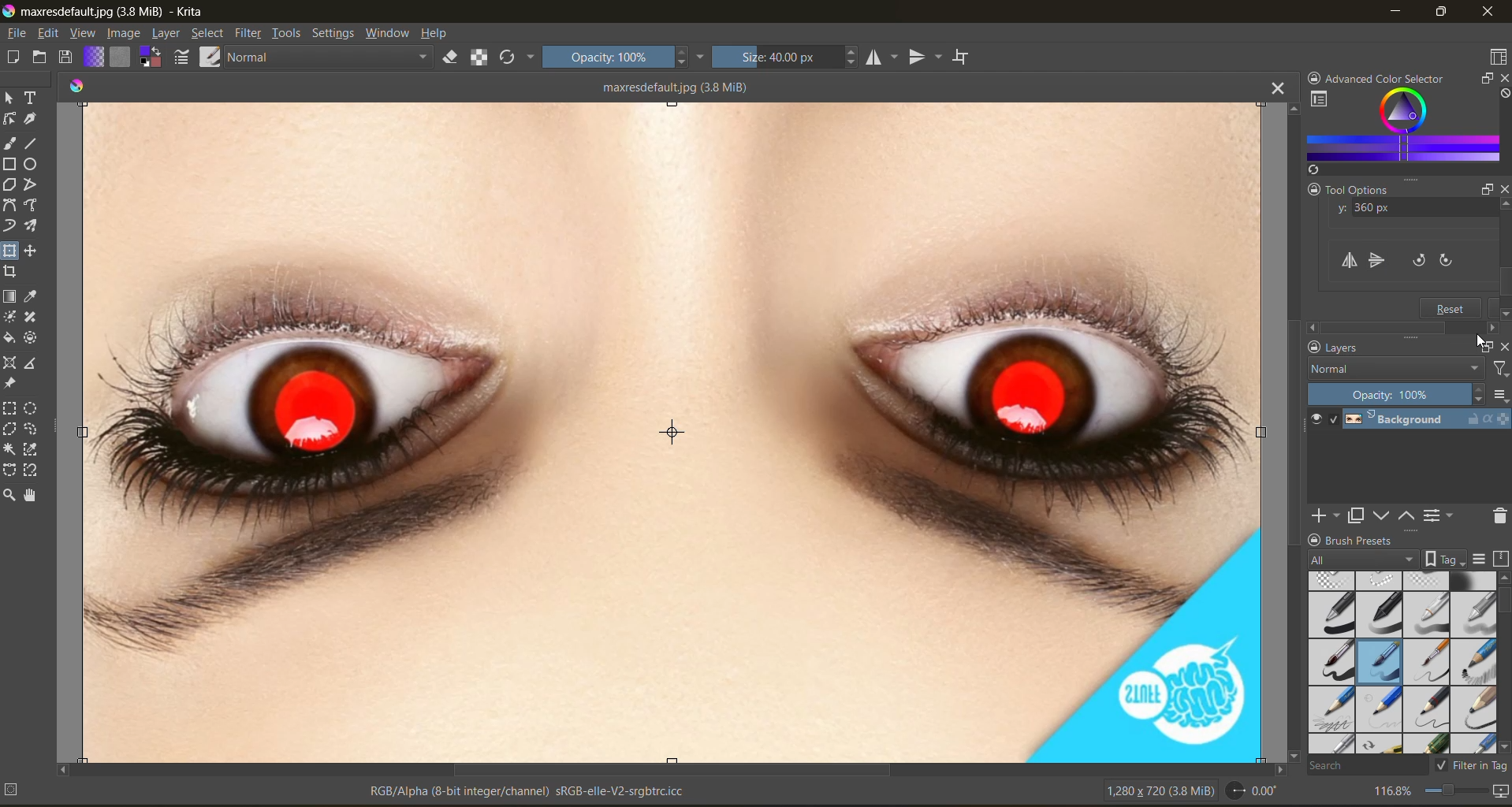 The height and width of the screenshot is (807, 1512). Describe the element at coordinates (48, 33) in the screenshot. I see `edit` at that location.